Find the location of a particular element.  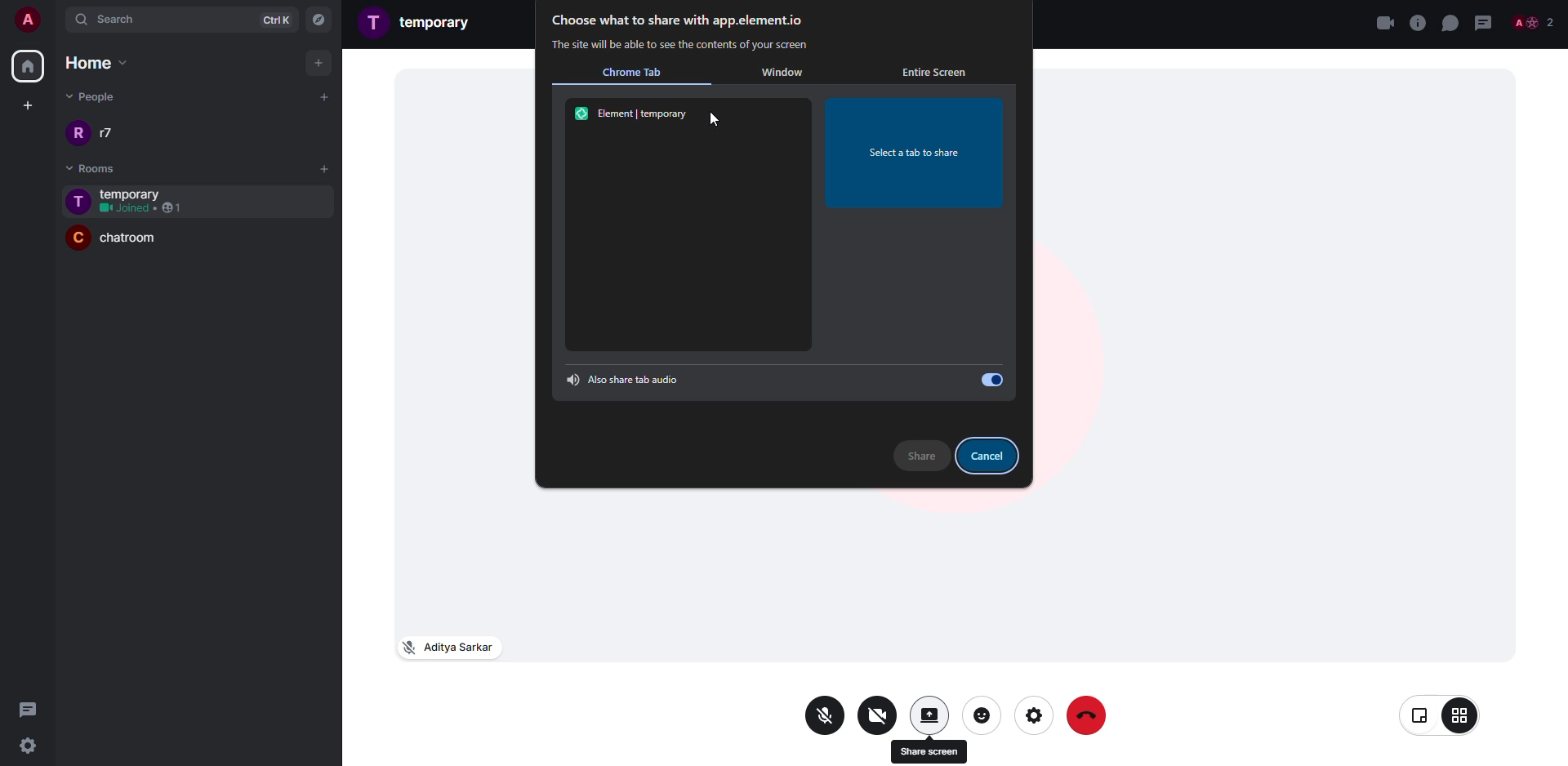

threads is located at coordinates (1484, 22).